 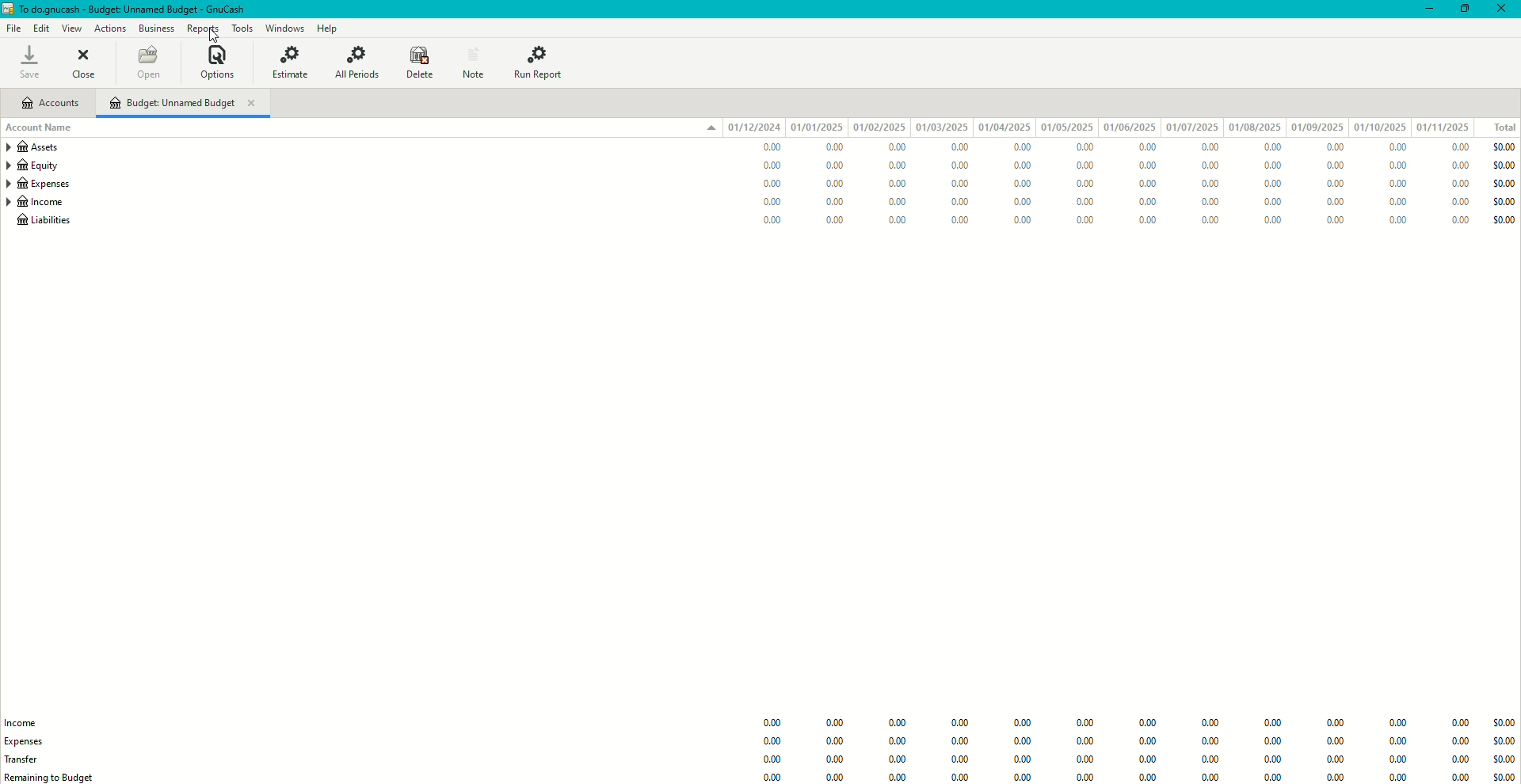 What do you see at coordinates (1147, 220) in the screenshot?
I see `0.00` at bounding box center [1147, 220].